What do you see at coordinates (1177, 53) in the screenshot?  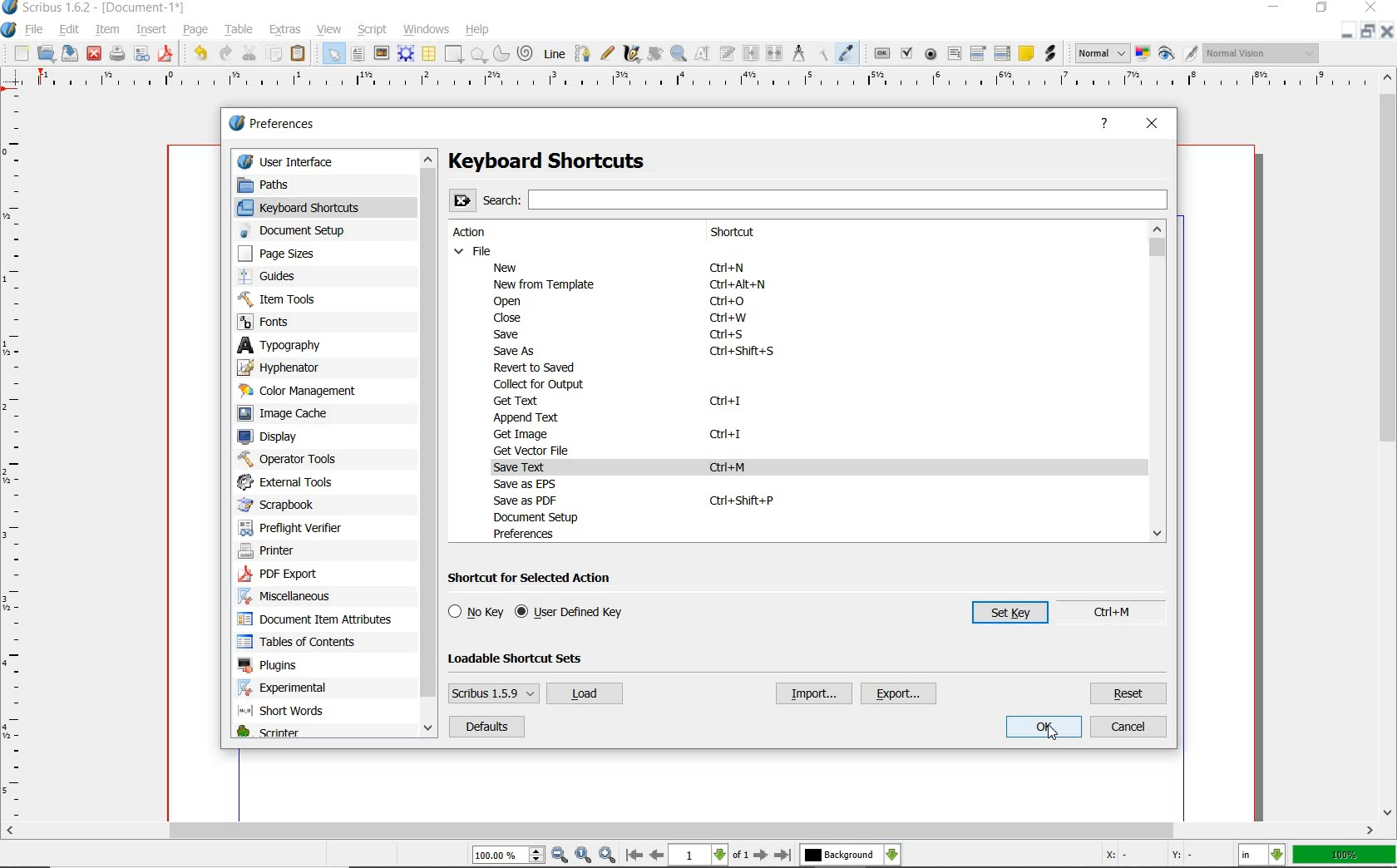 I see `preview mode` at bounding box center [1177, 53].